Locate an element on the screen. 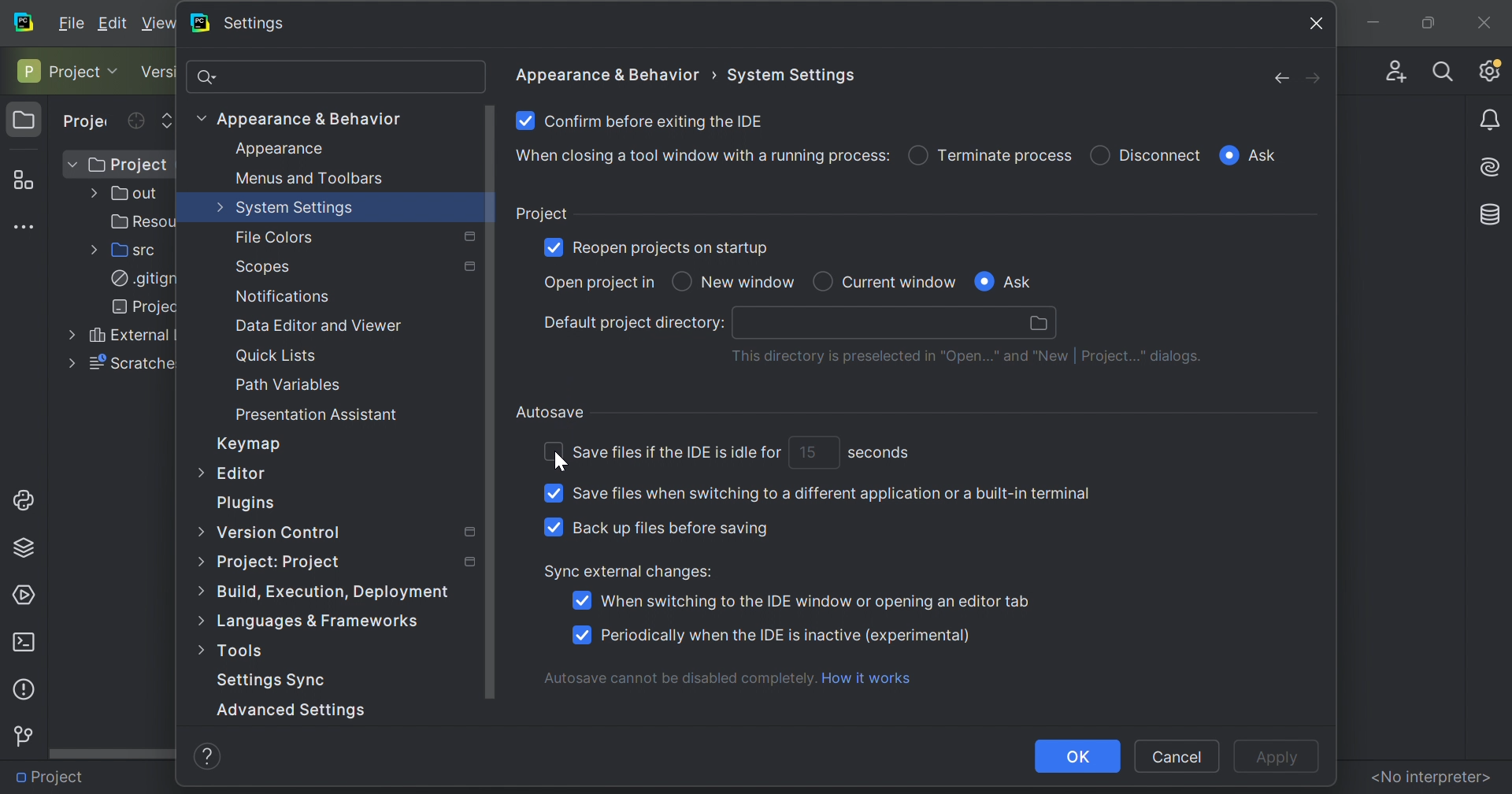  Project is located at coordinates (126, 165).